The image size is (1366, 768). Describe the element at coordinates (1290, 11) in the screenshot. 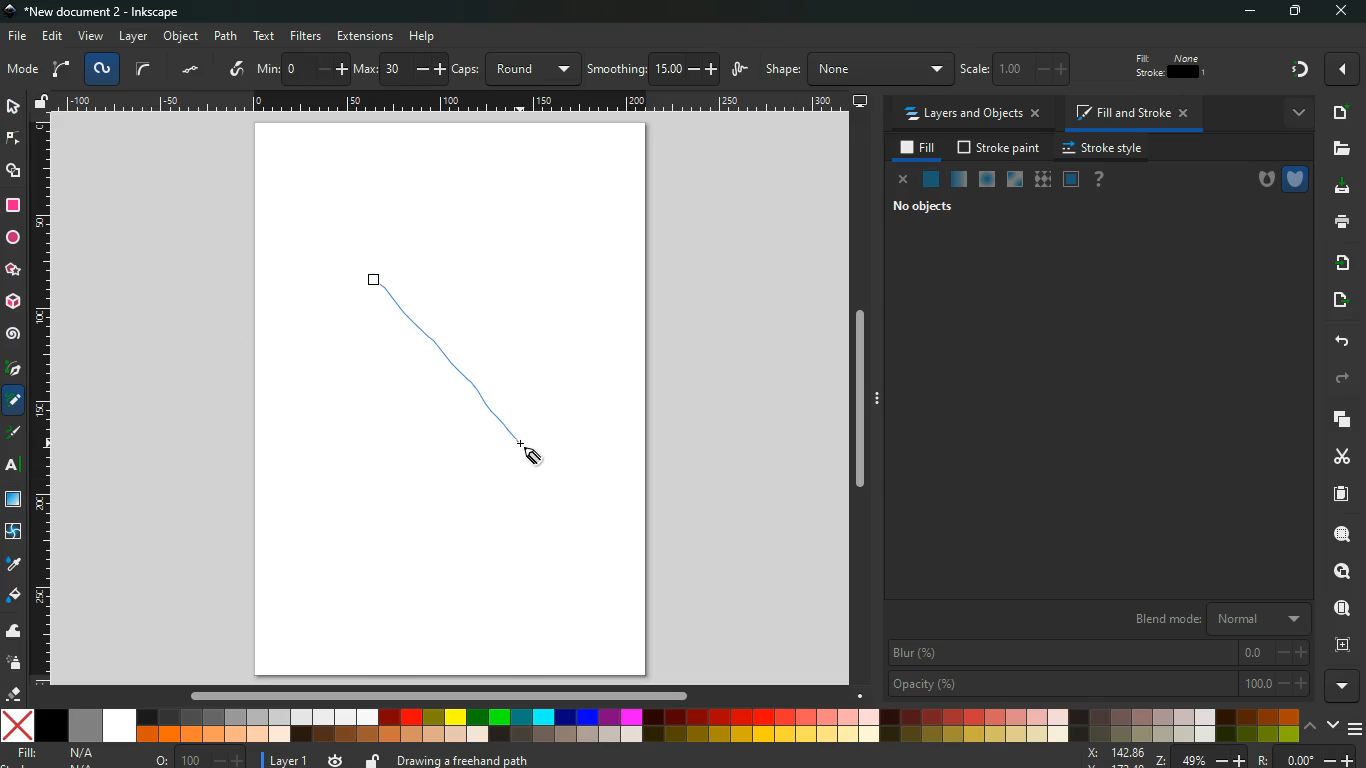

I see `maximize` at that location.